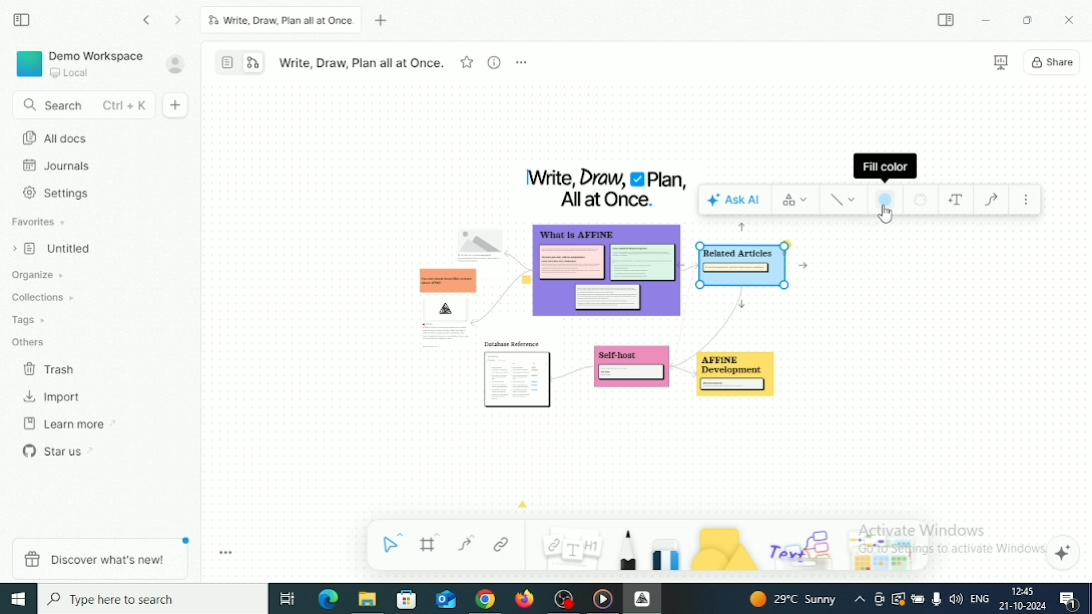 The width and height of the screenshot is (1092, 614). I want to click on Note, so click(570, 546).